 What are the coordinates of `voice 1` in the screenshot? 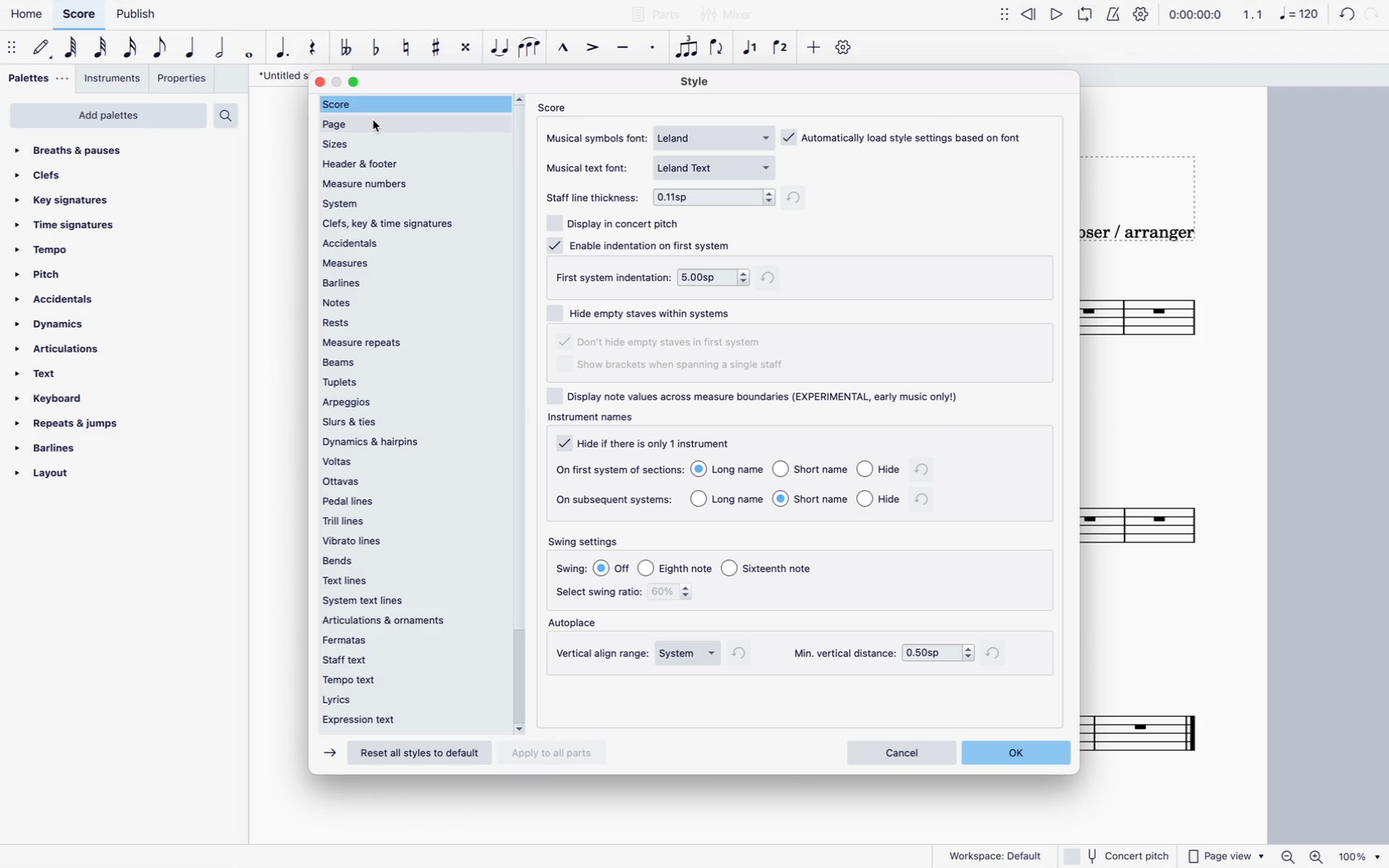 It's located at (752, 49).